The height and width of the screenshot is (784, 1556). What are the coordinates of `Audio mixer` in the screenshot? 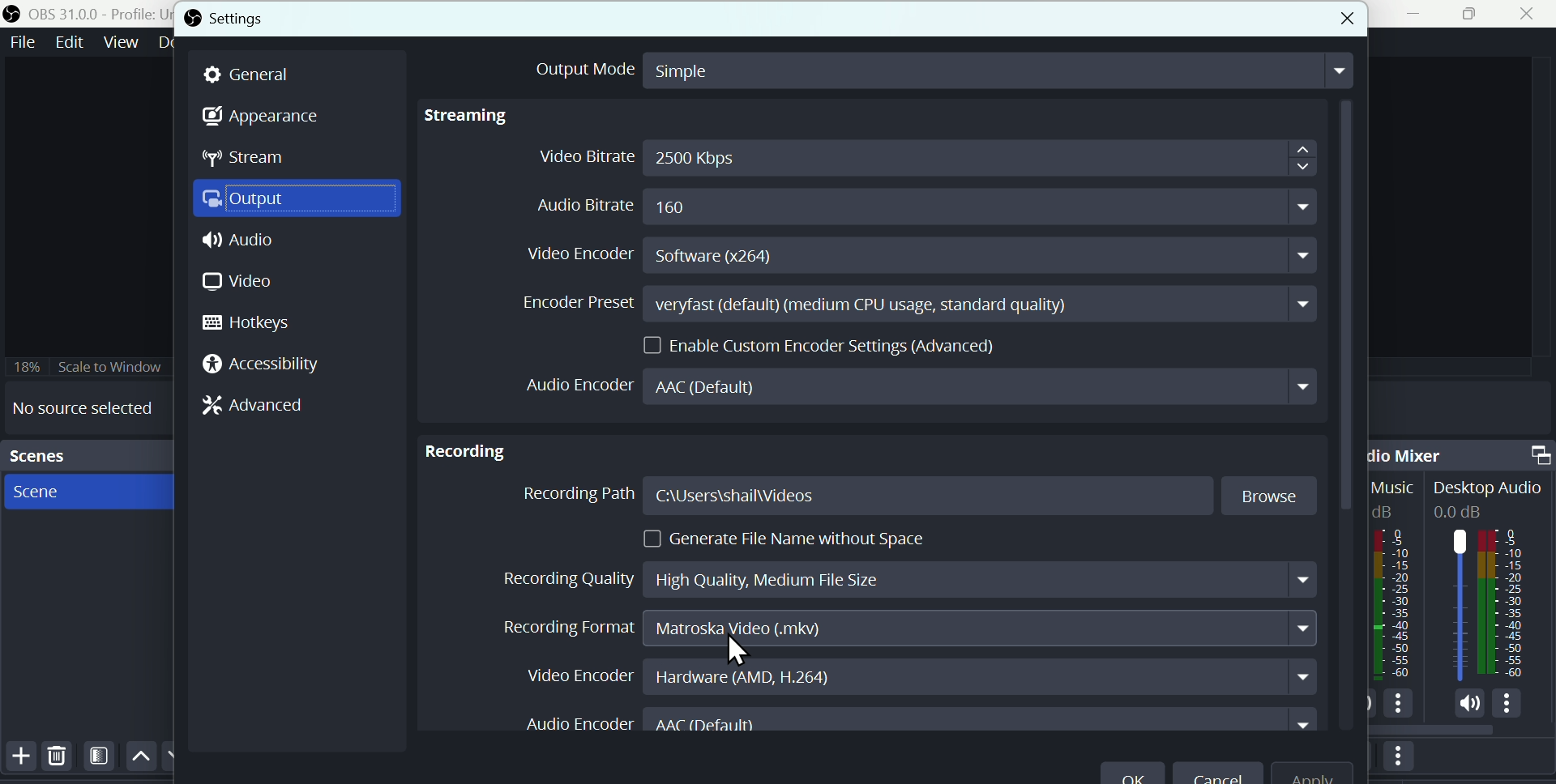 It's located at (1459, 452).